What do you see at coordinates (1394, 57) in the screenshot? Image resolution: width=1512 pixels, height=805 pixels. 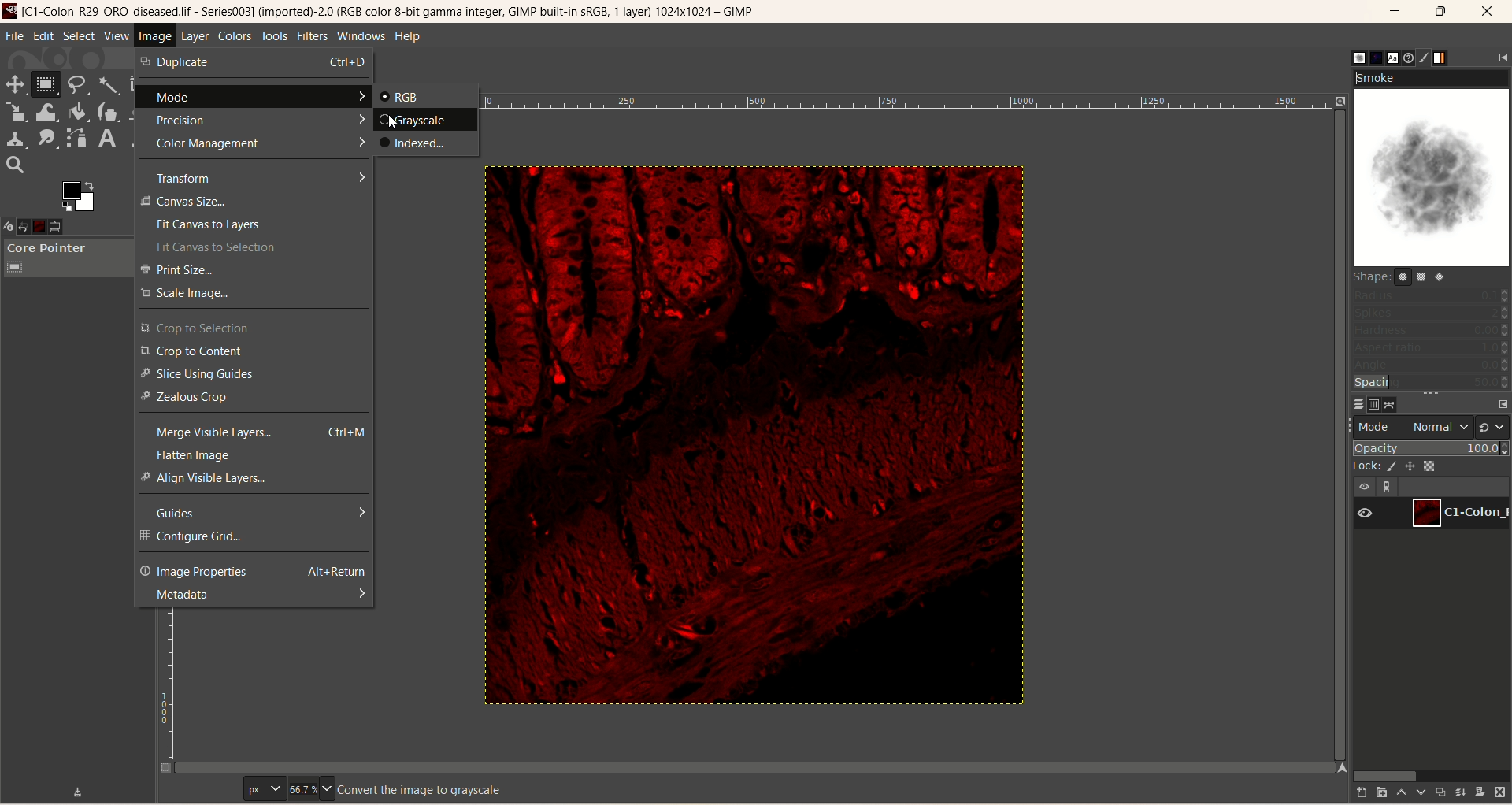 I see `font` at bounding box center [1394, 57].